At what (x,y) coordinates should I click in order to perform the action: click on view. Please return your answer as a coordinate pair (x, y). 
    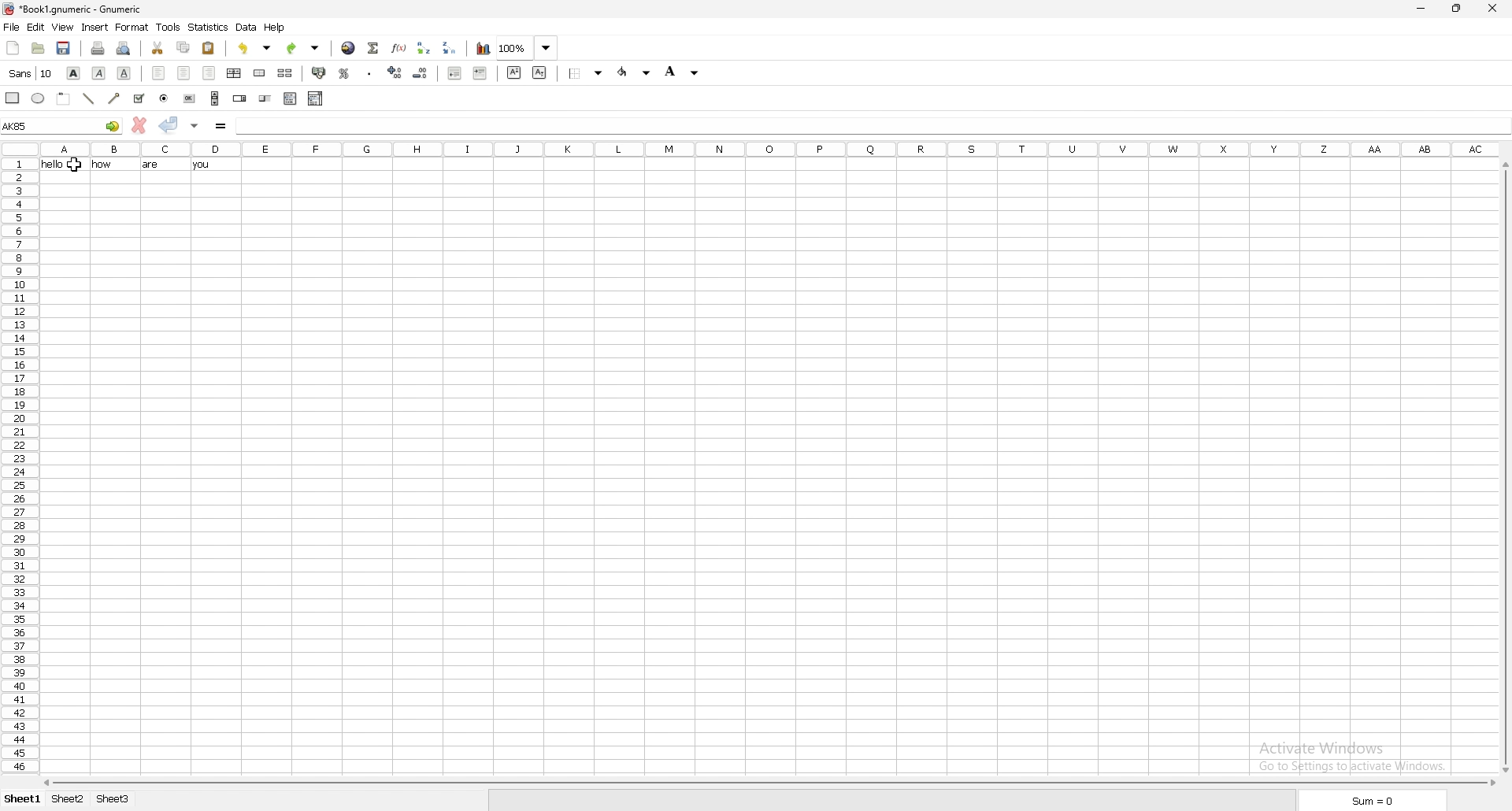
    Looking at the image, I should click on (63, 28).